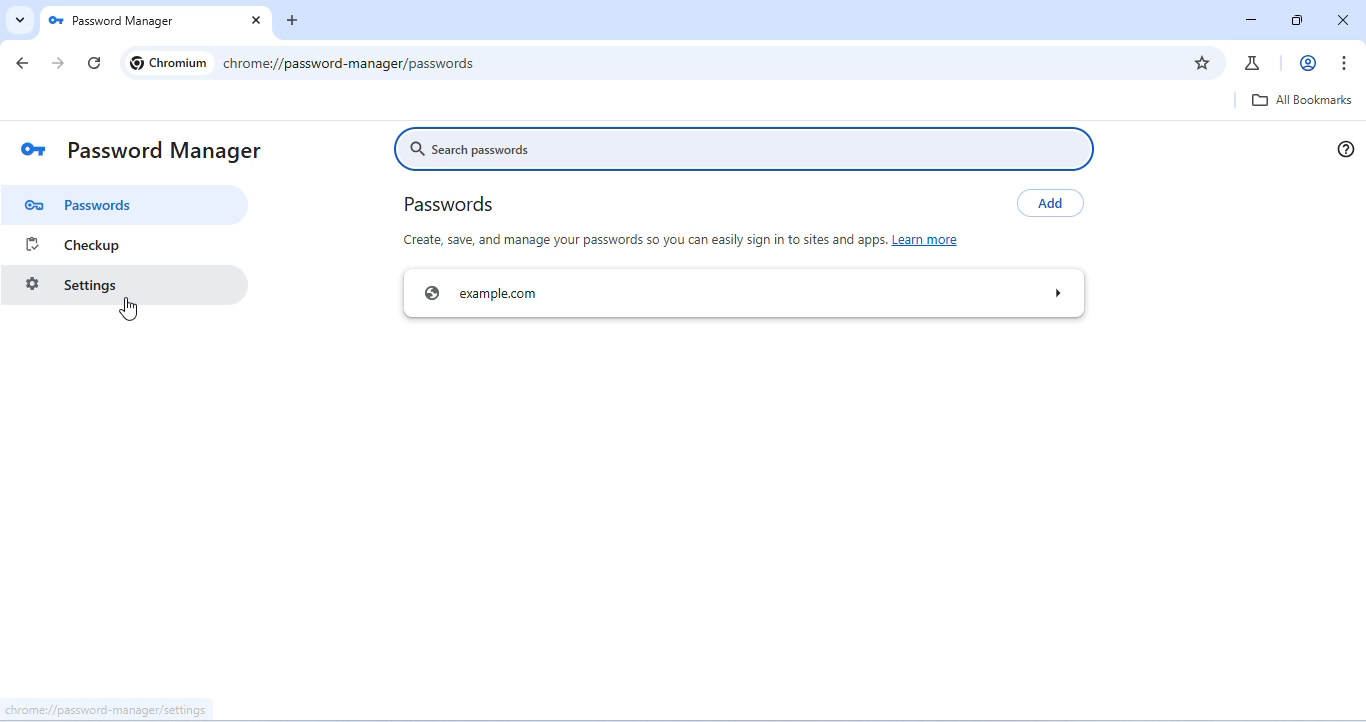 The height and width of the screenshot is (722, 1366). What do you see at coordinates (739, 146) in the screenshot?
I see `search passwords` at bounding box center [739, 146].